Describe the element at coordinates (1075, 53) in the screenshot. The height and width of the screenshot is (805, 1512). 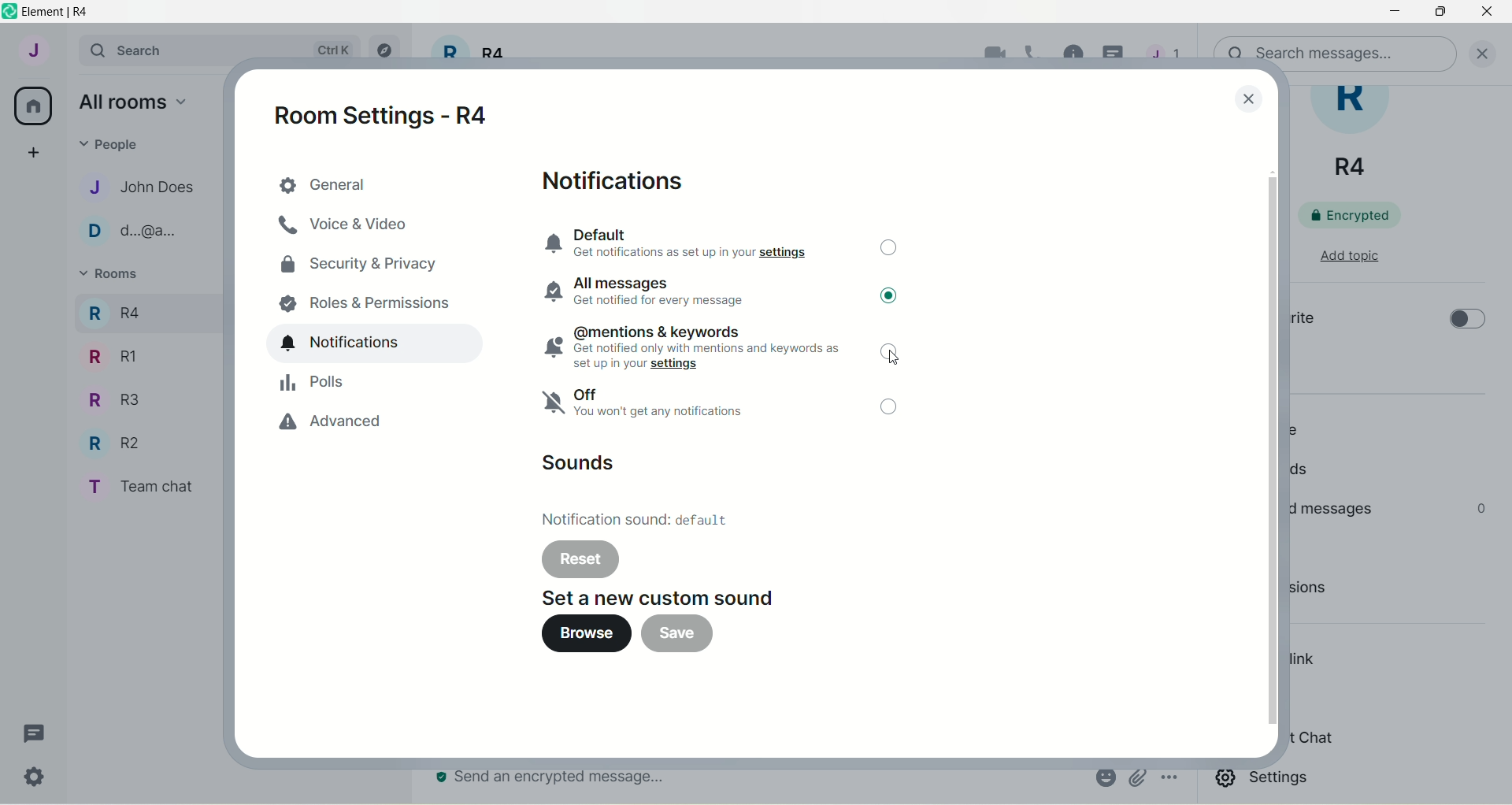
I see `room info` at that location.